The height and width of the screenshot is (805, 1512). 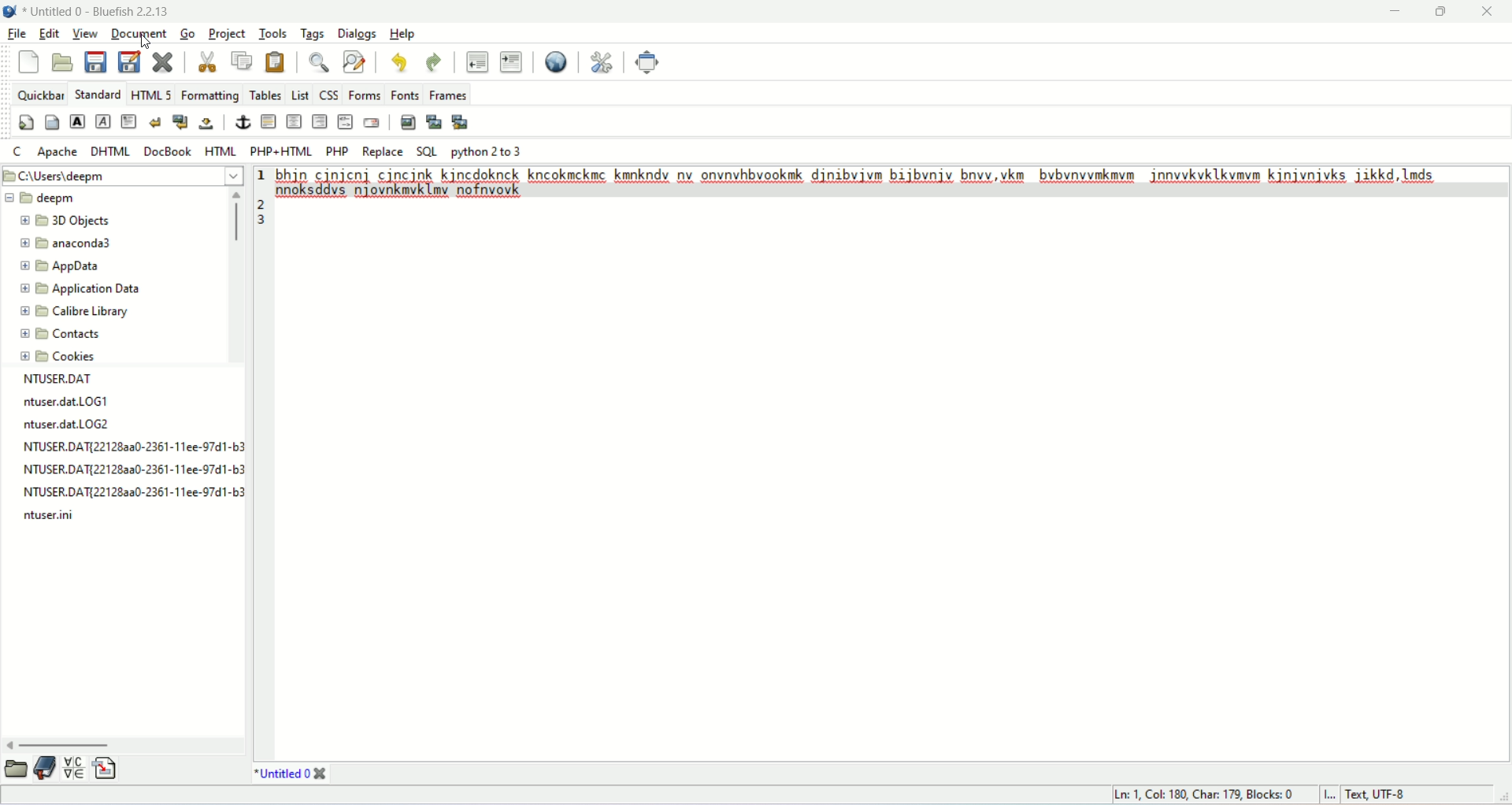 I want to click on view, so click(x=84, y=35).